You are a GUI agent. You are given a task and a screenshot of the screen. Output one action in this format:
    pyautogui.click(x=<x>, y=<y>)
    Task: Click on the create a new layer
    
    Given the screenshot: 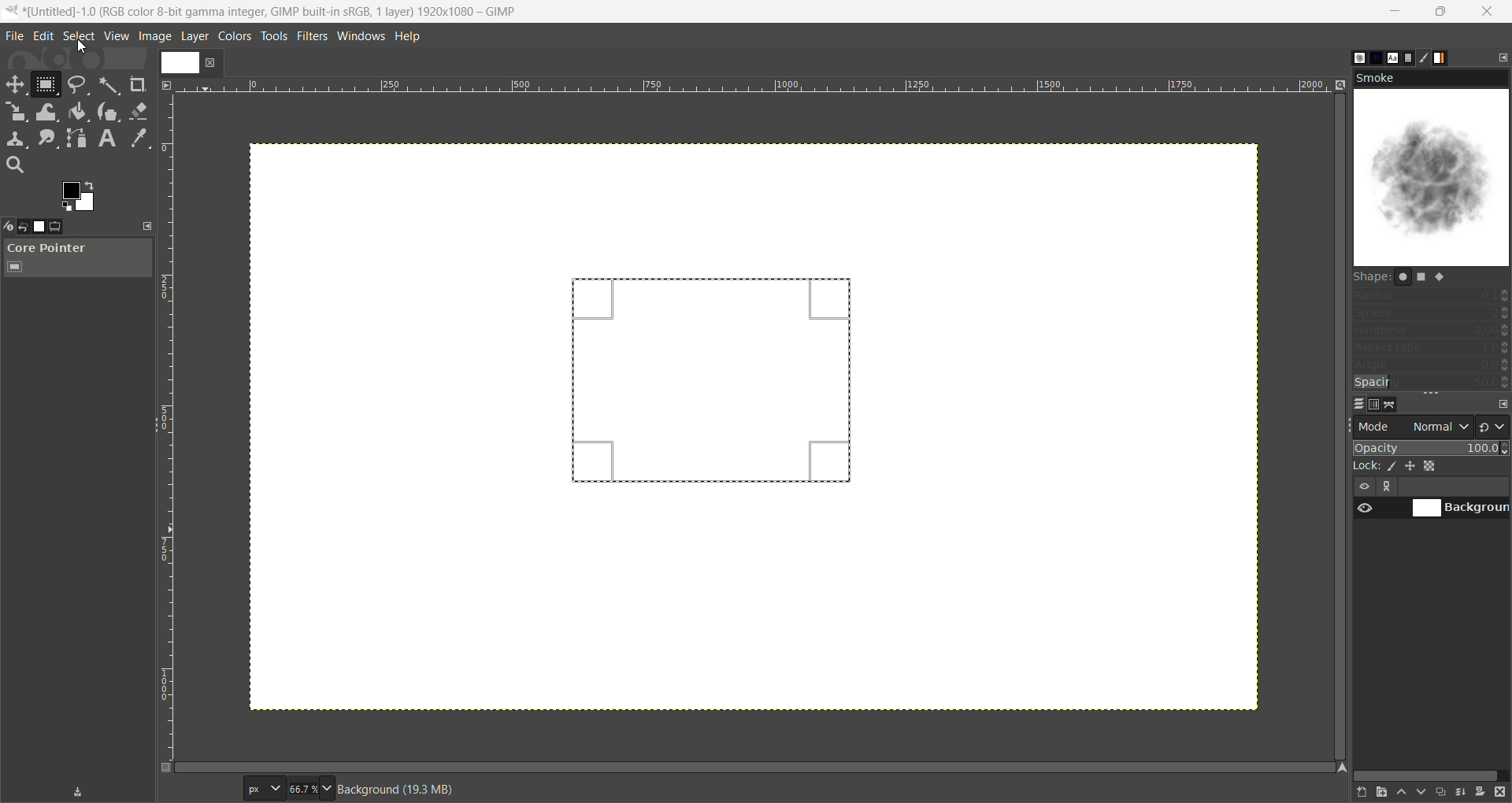 What is the action you would take?
    pyautogui.click(x=1381, y=793)
    